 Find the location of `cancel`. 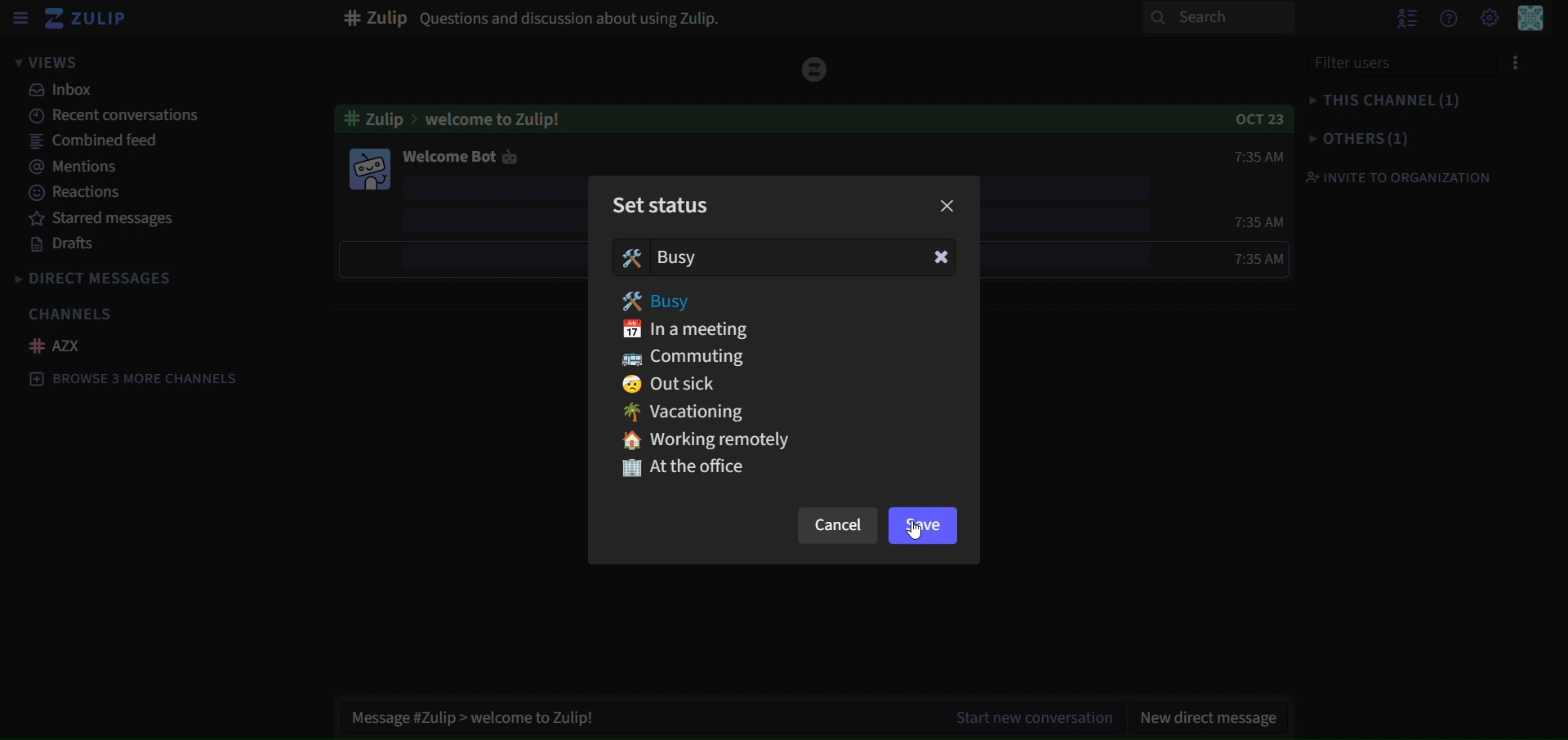

cancel is located at coordinates (834, 528).